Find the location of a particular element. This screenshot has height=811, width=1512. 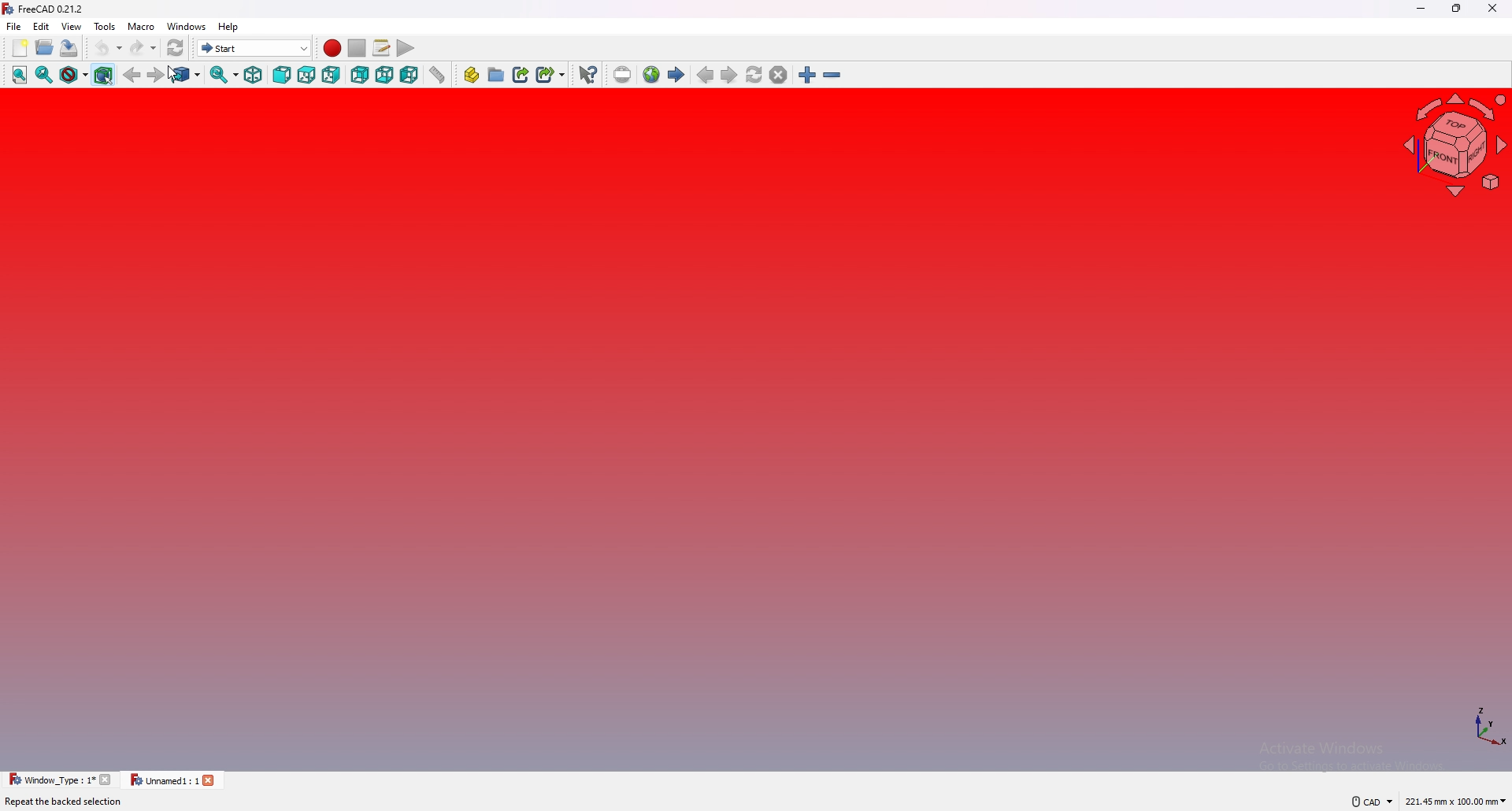

new is located at coordinates (20, 47).